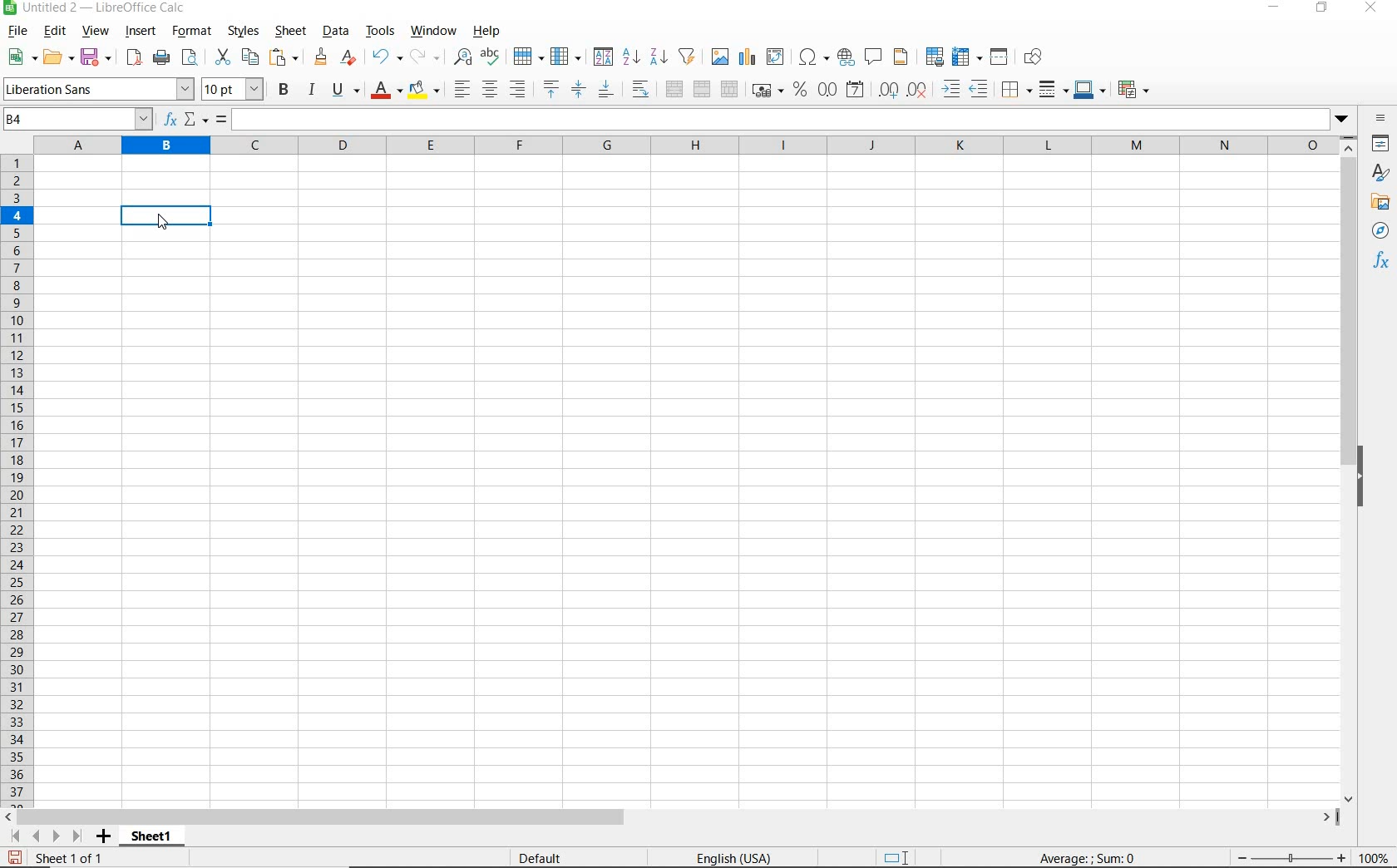 Image resolution: width=1397 pixels, height=868 pixels. What do you see at coordinates (131, 57) in the screenshot?
I see `export as pdf` at bounding box center [131, 57].